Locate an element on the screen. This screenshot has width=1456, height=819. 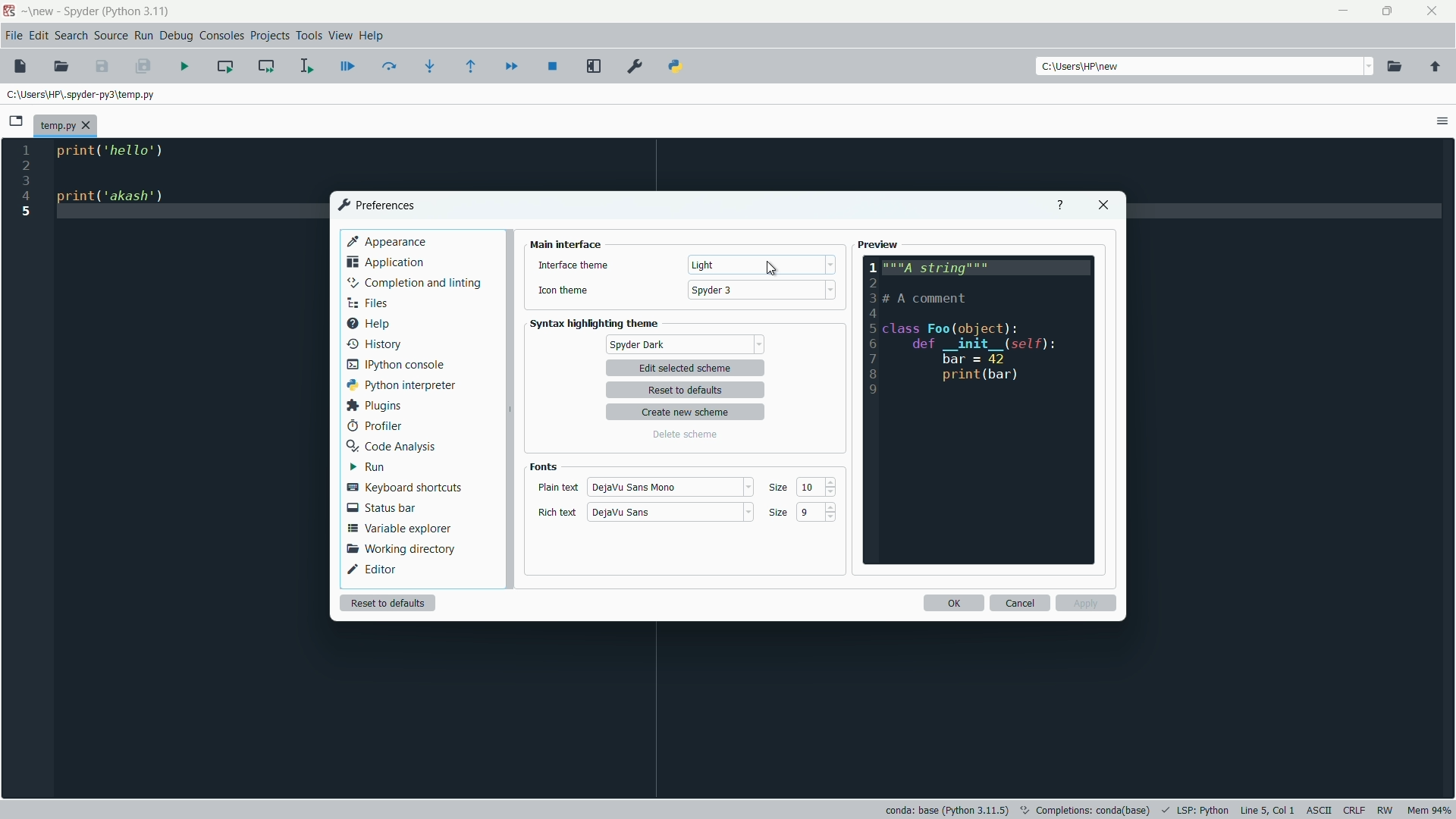
cancel is located at coordinates (1020, 604).